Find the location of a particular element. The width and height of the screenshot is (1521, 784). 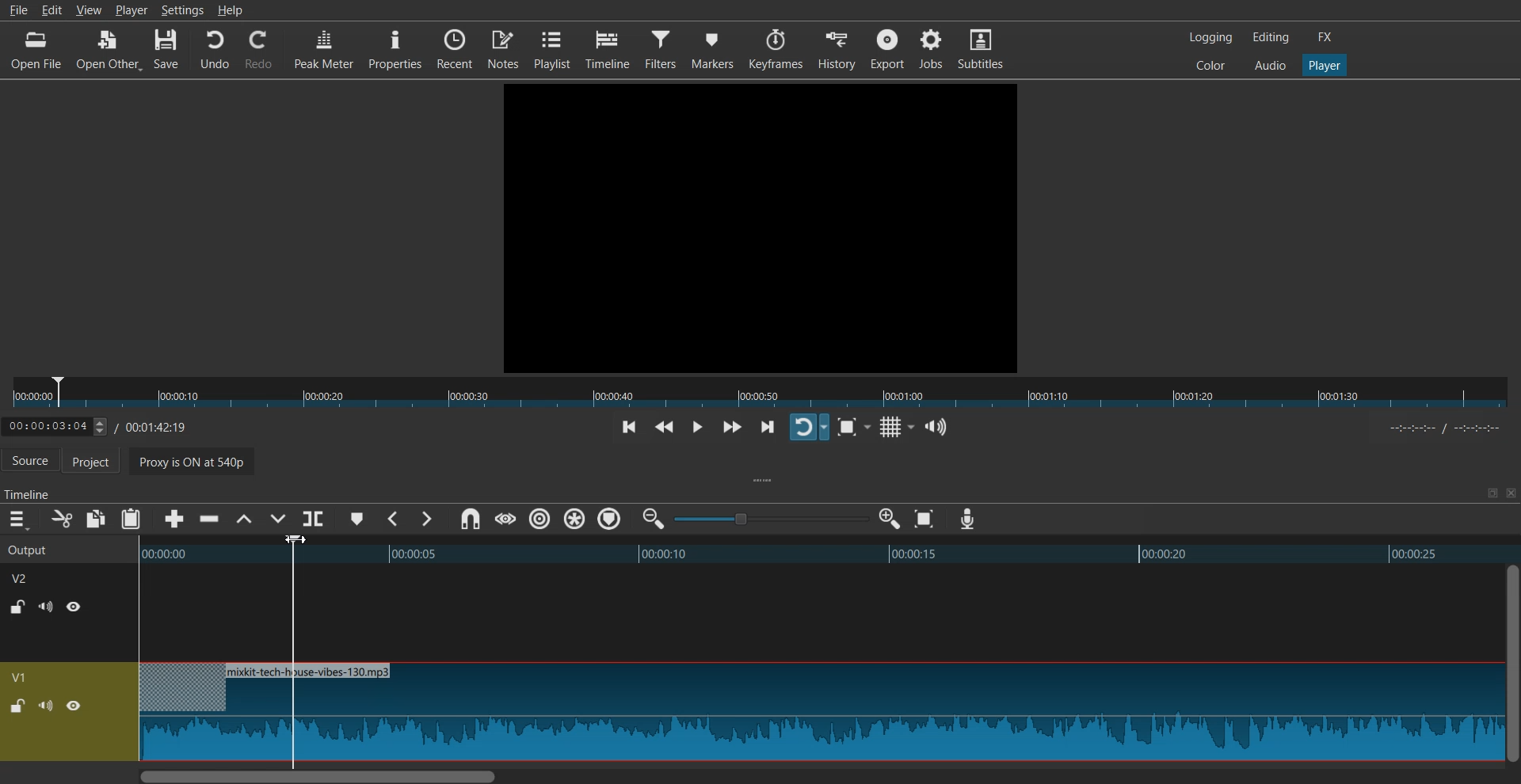

Split at playhead is located at coordinates (314, 518).